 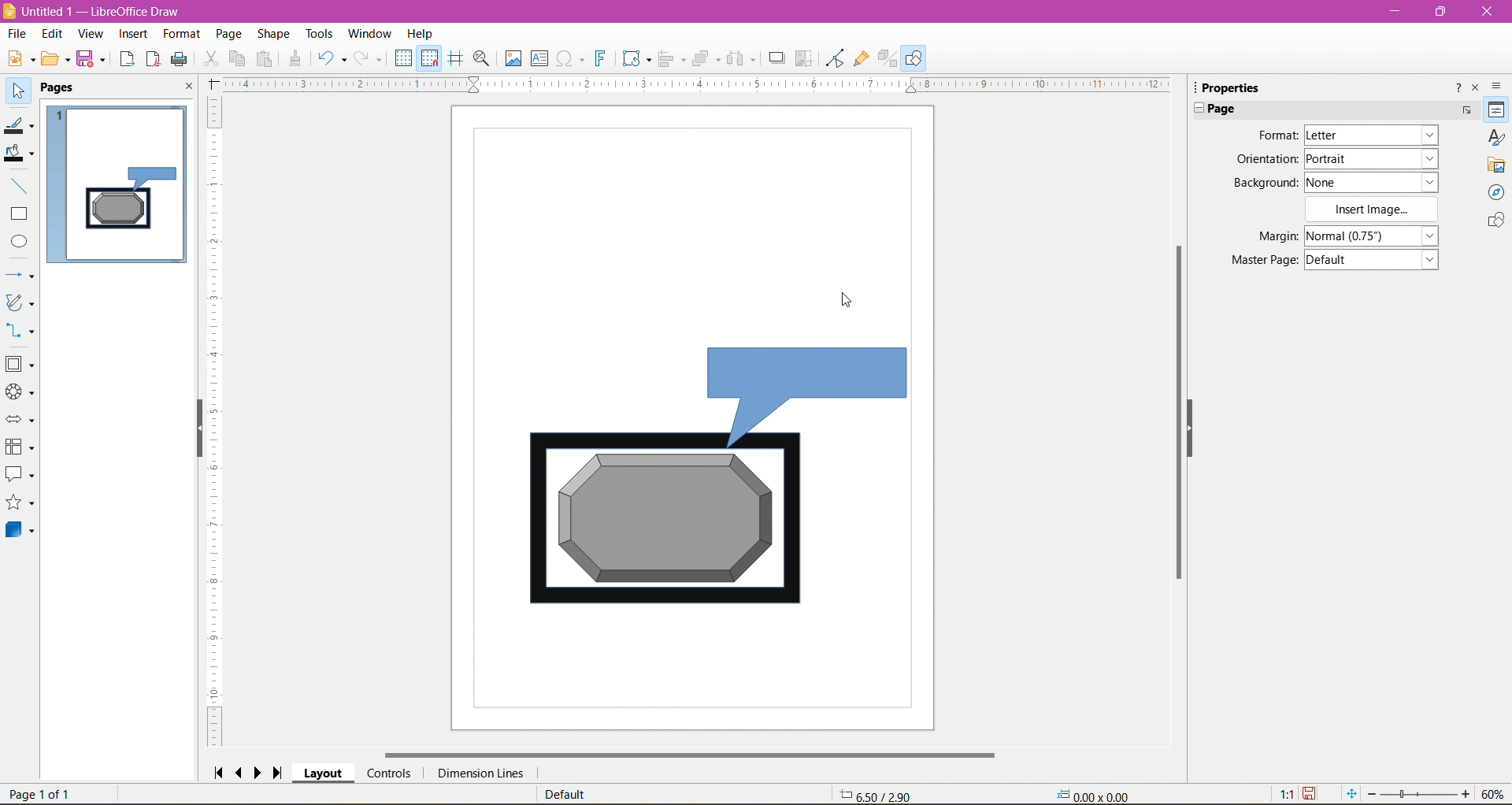 I want to click on Dimension Lines, so click(x=480, y=773).